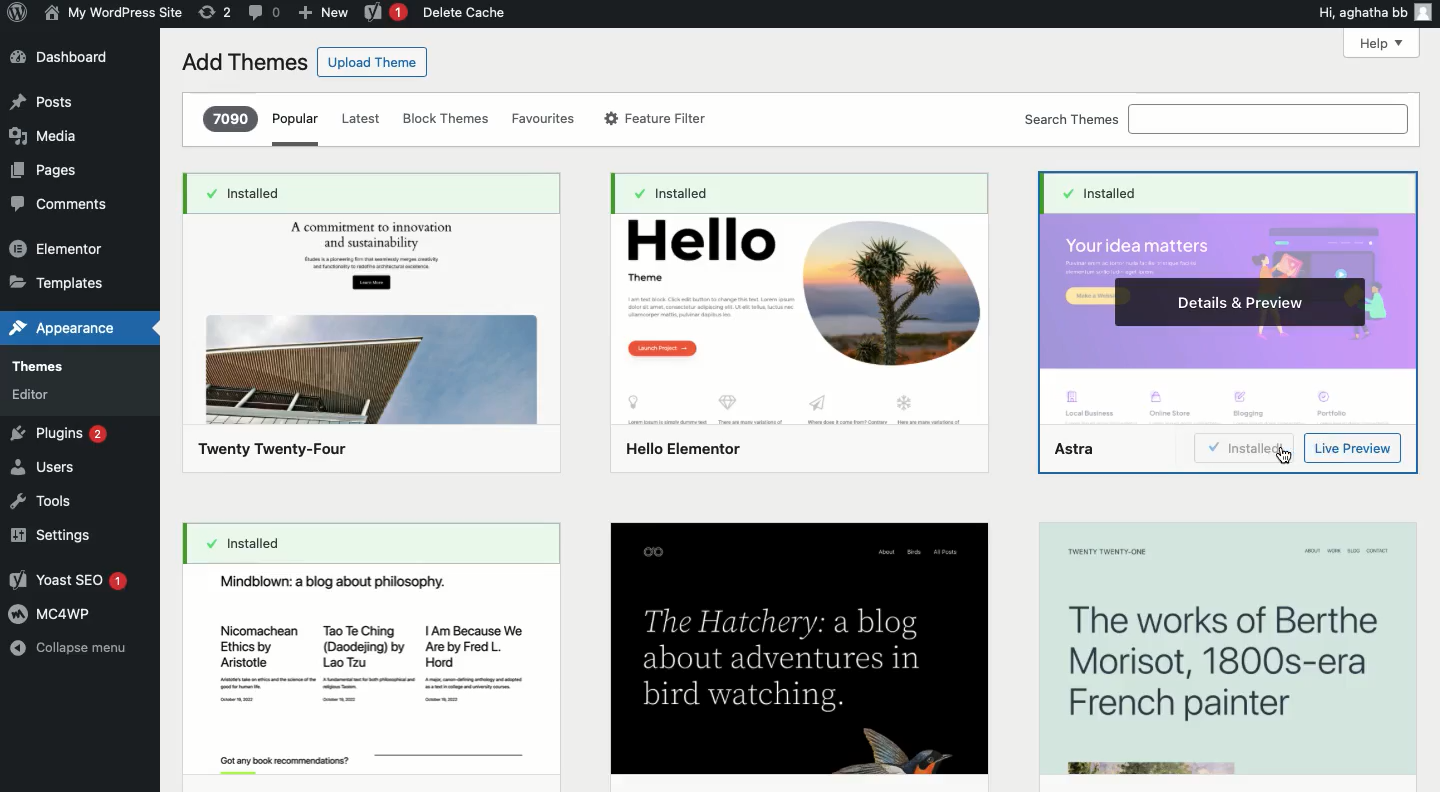 The height and width of the screenshot is (792, 1440). Describe the element at coordinates (1285, 454) in the screenshot. I see `cursor` at that location.